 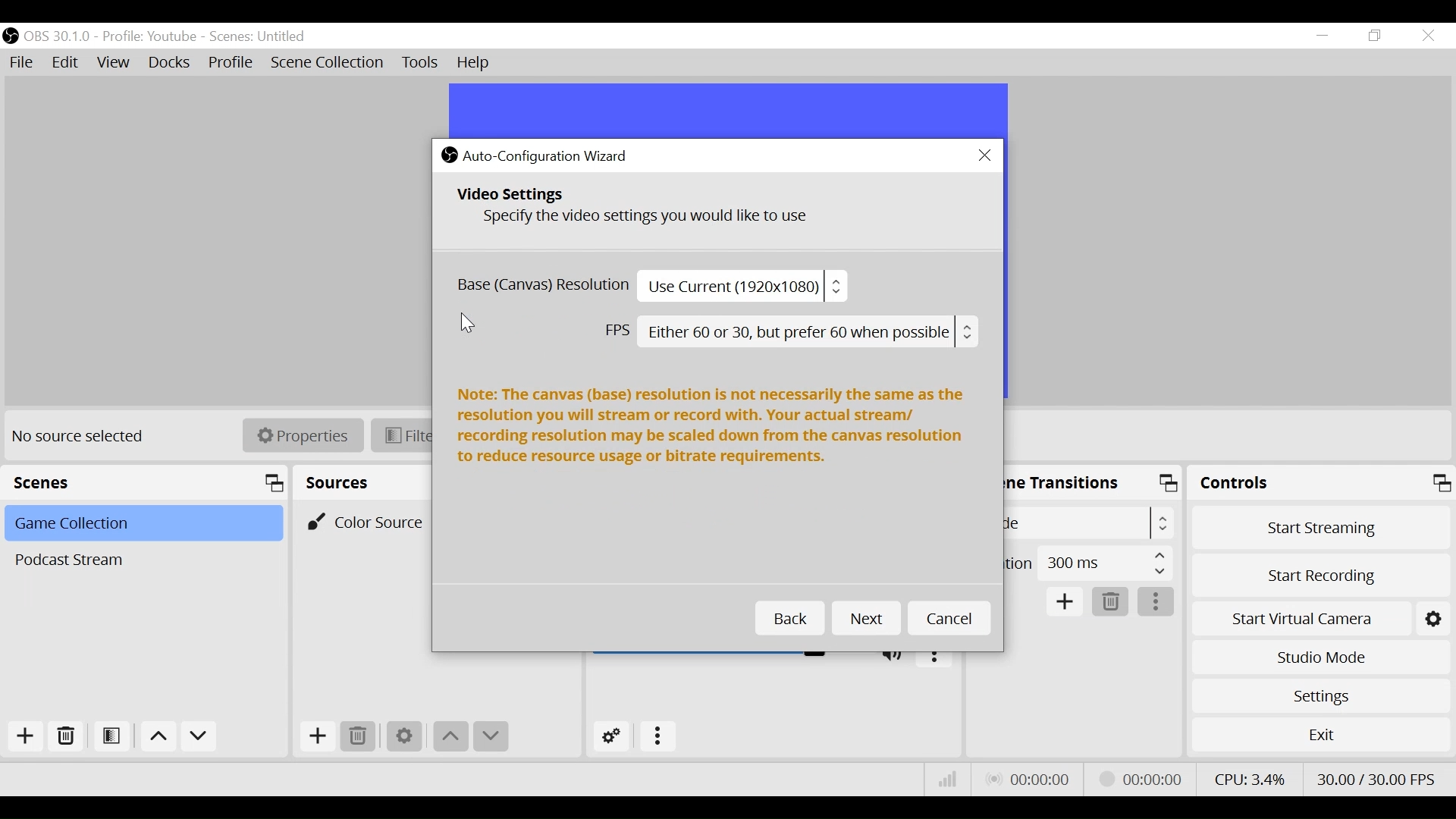 I want to click on more options, so click(x=659, y=738).